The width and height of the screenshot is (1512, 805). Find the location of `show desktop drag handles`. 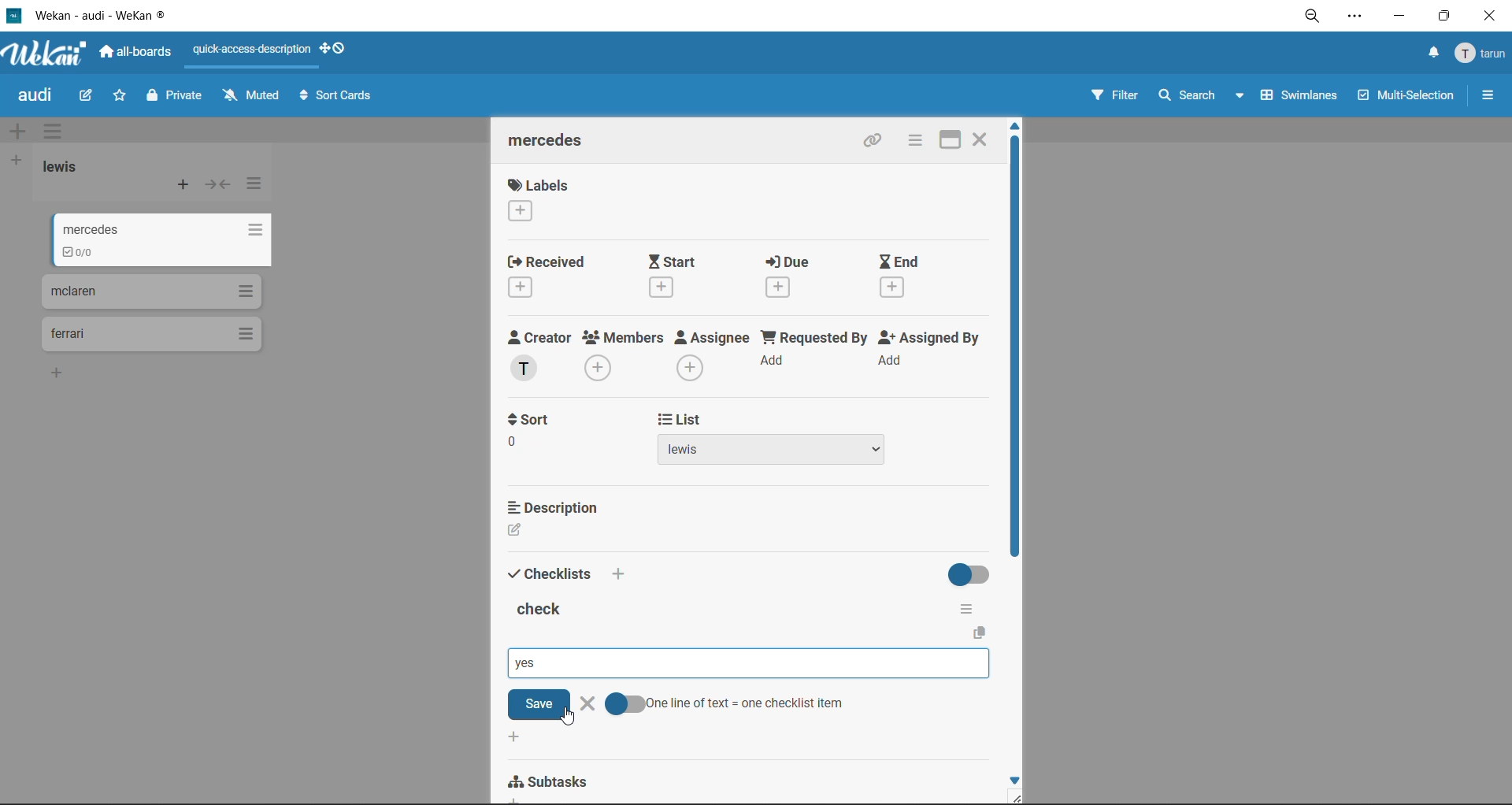

show desktop drag handles is located at coordinates (339, 48).